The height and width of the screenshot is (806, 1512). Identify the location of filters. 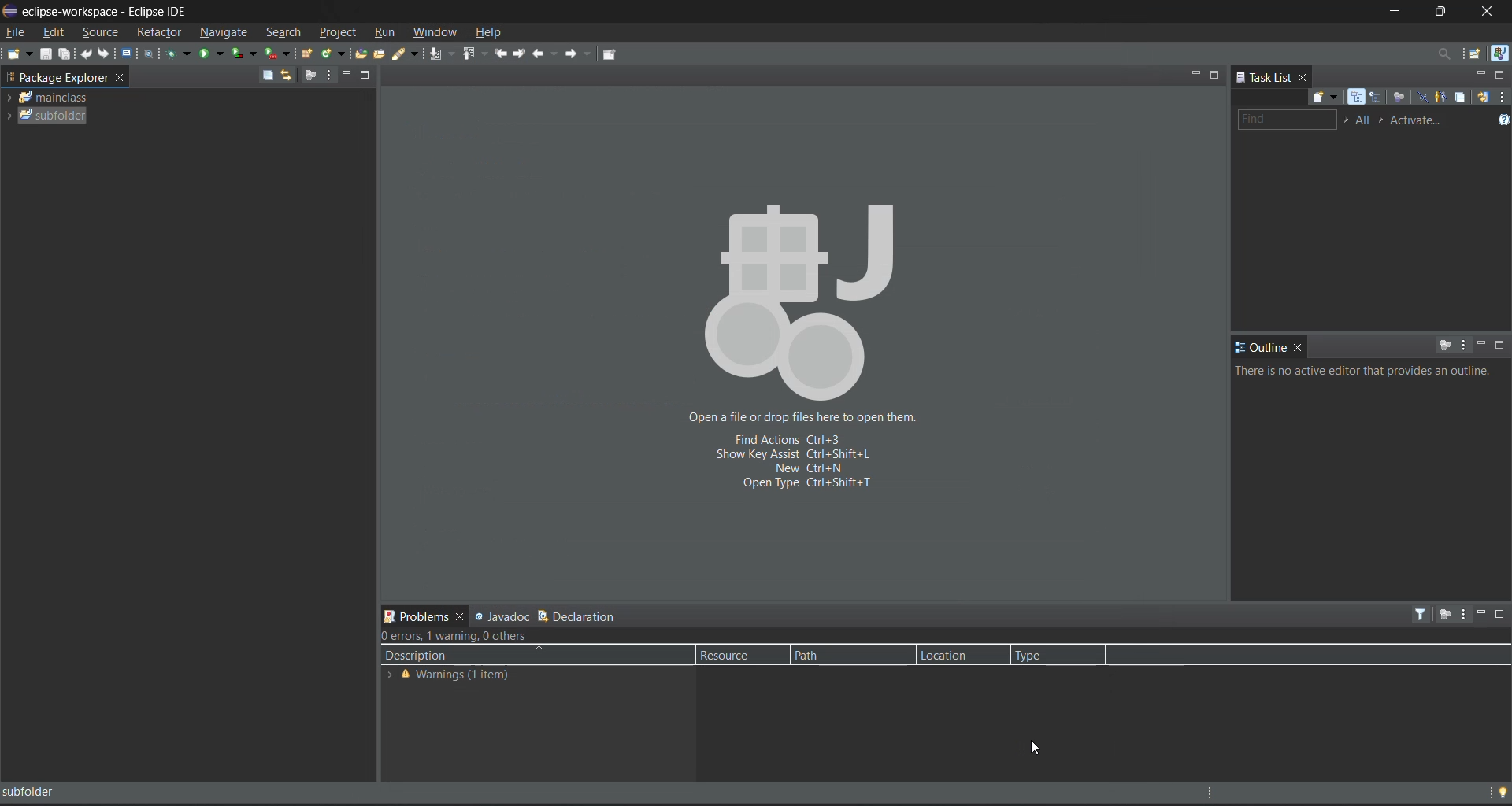
(1422, 614).